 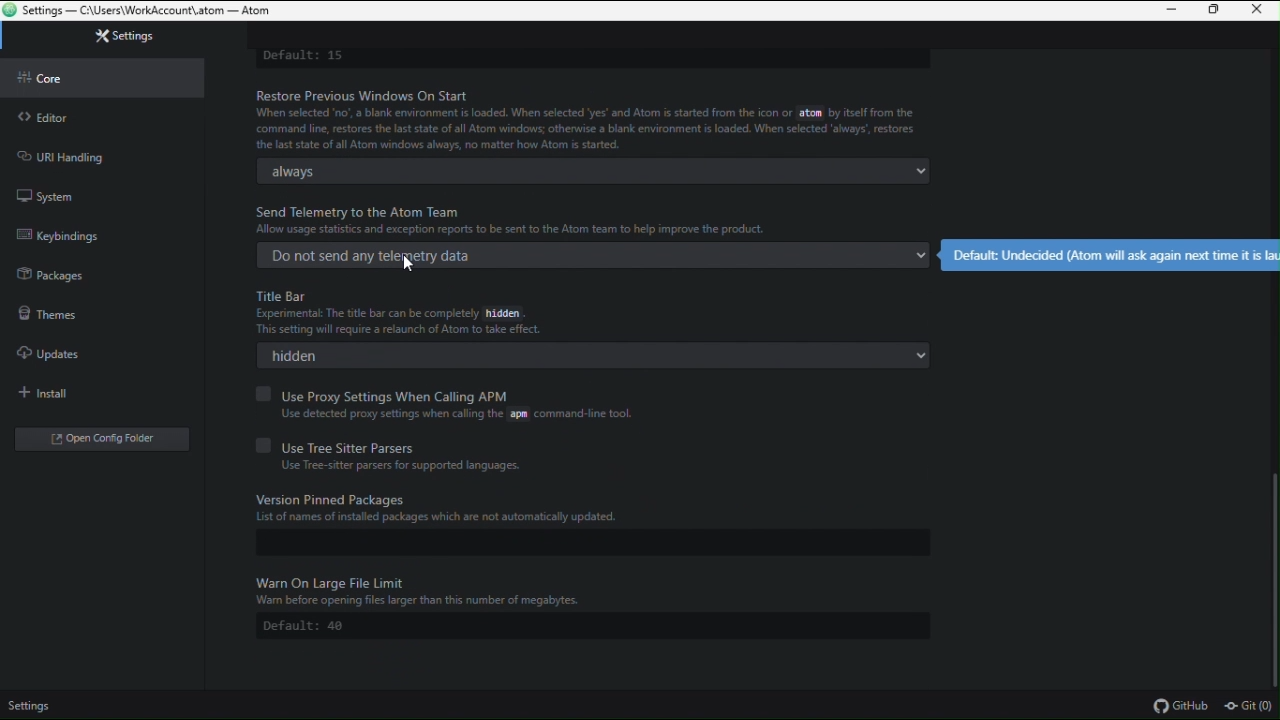 I want to click on close, so click(x=1261, y=10).